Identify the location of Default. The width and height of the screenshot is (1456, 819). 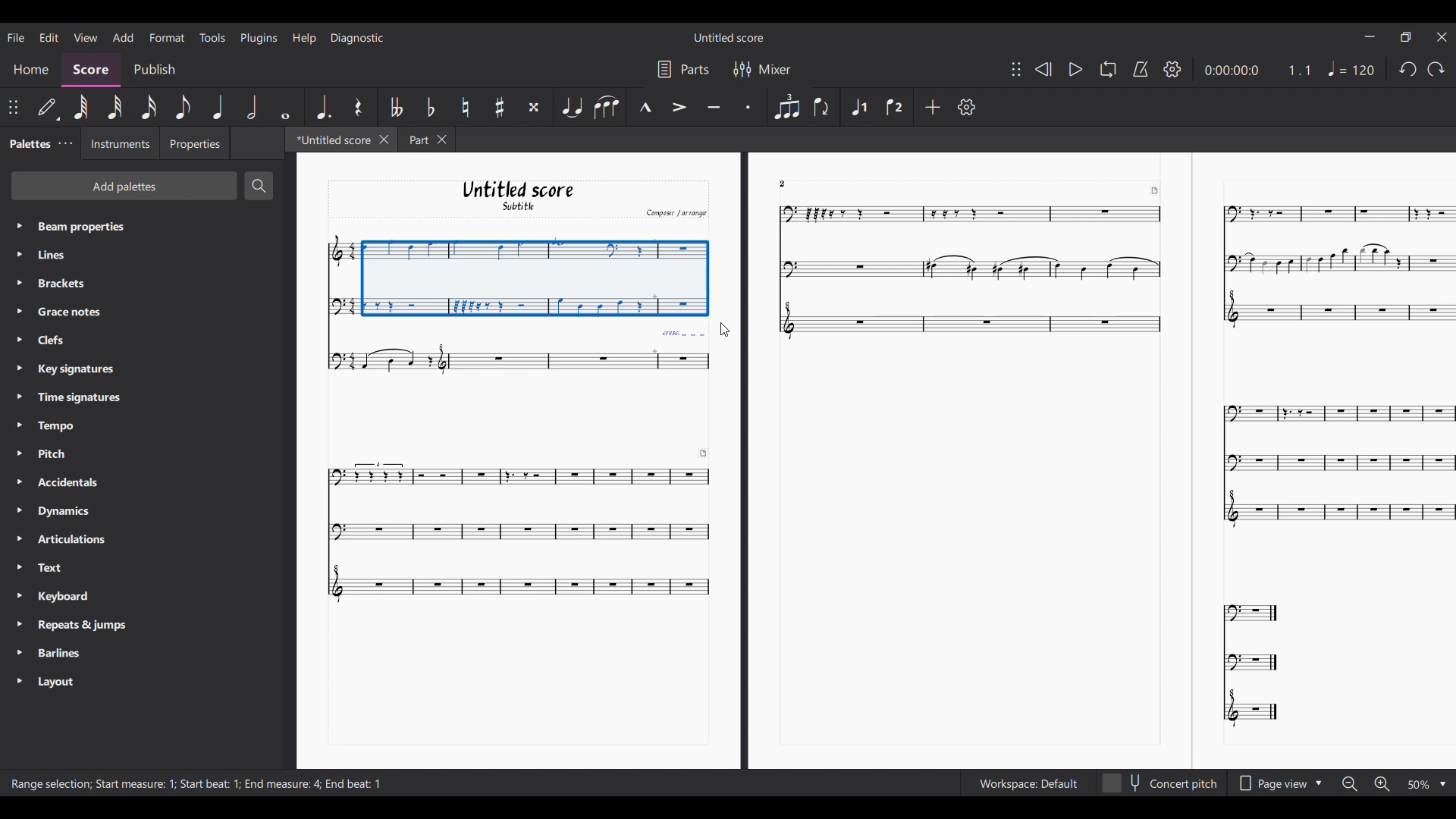
(48, 109).